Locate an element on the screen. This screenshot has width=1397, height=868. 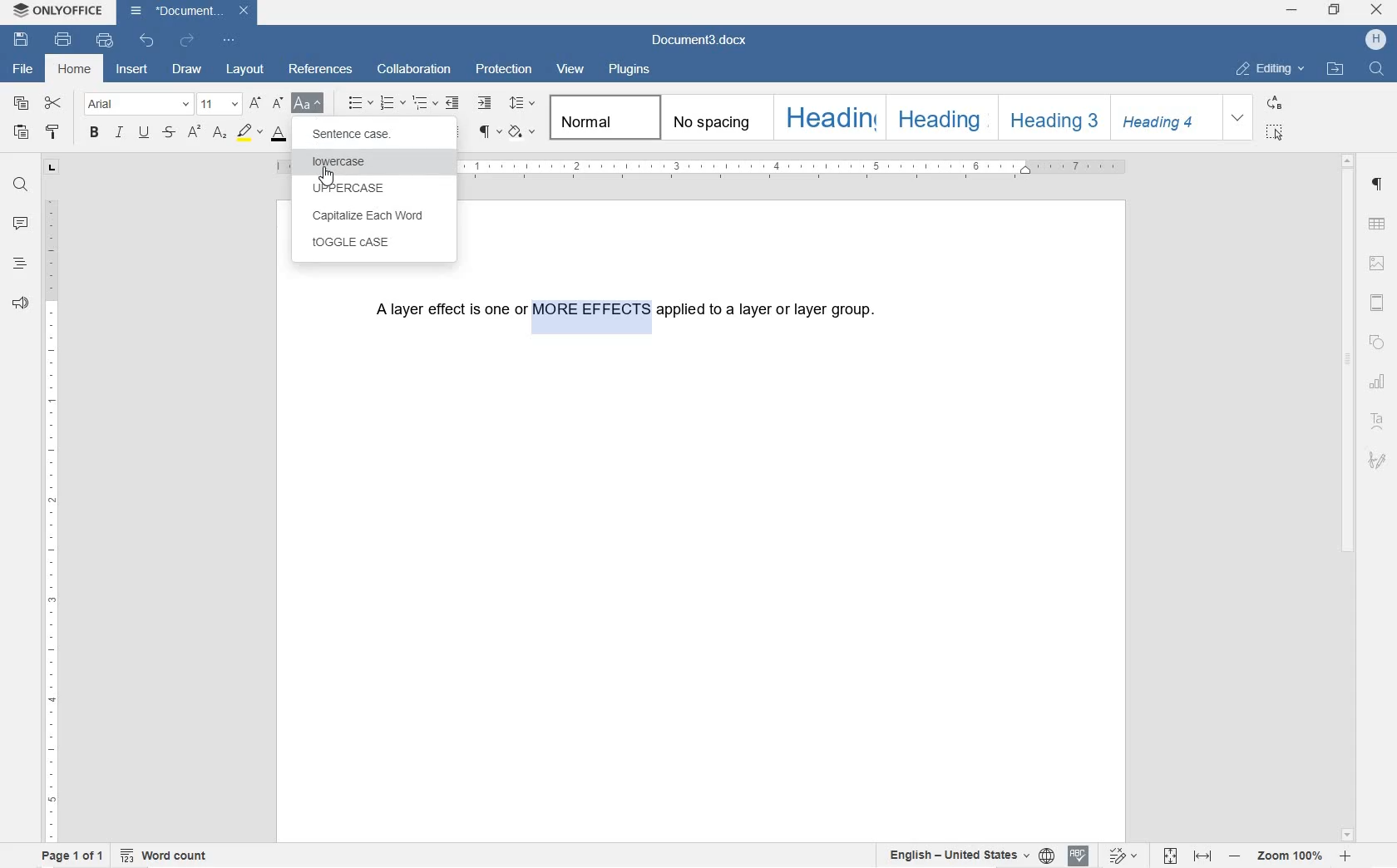
MULTILEVEL LISTS is located at coordinates (427, 105).